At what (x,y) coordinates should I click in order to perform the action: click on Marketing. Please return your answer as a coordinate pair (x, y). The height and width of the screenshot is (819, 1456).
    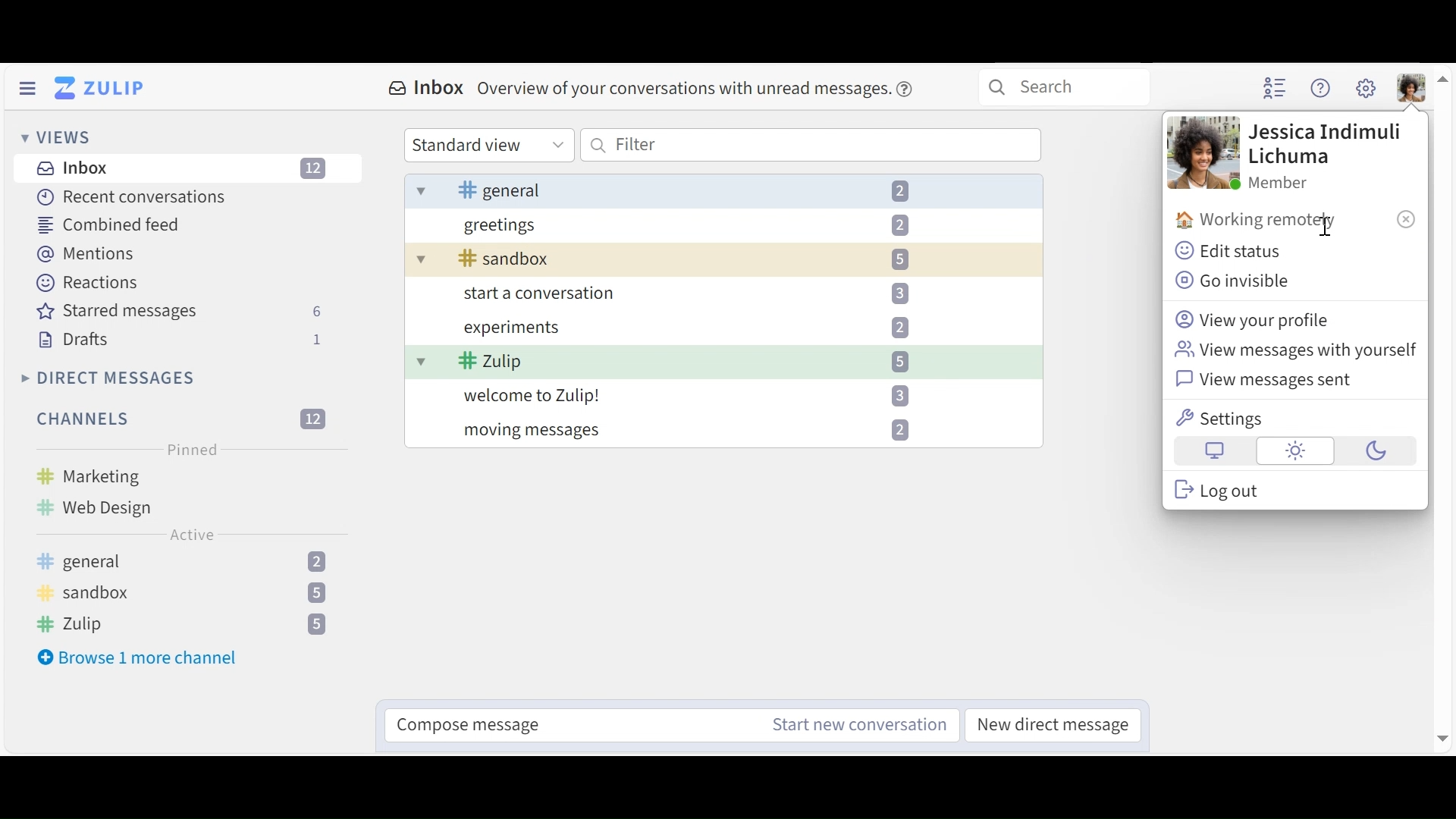
    Looking at the image, I should click on (85, 474).